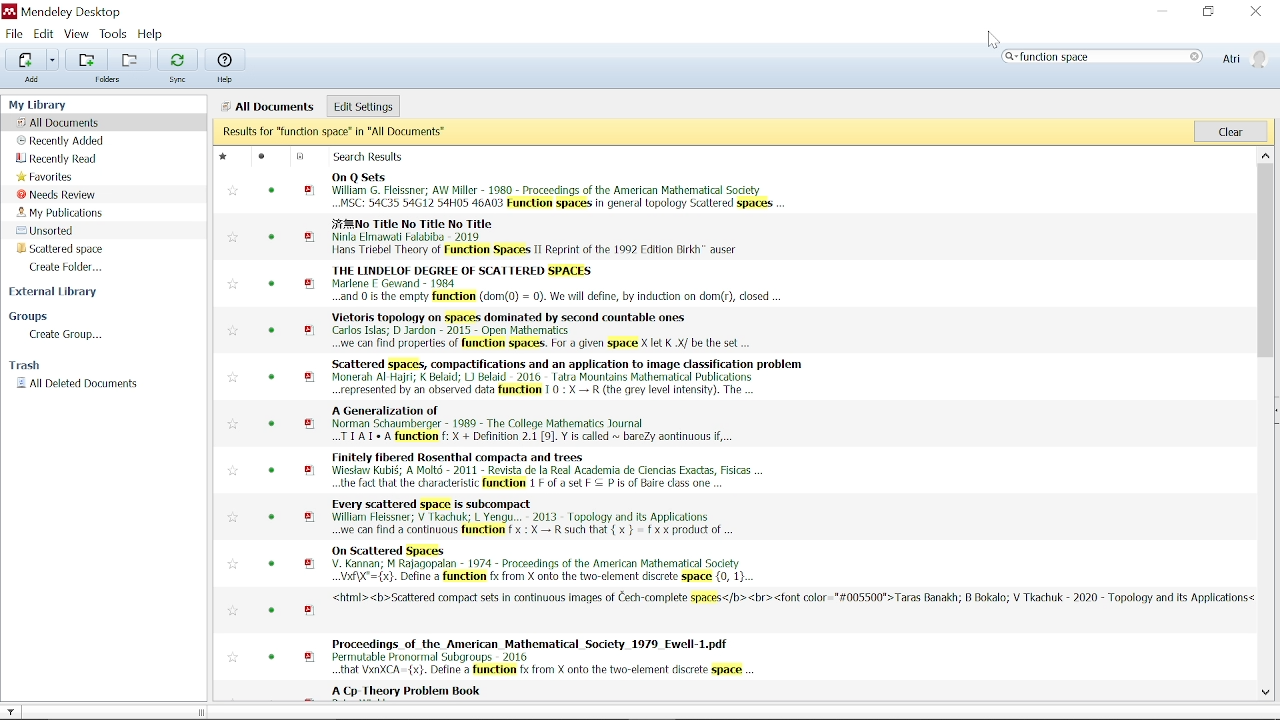 This screenshot has width=1280, height=720. I want to click on Add to favorite, so click(233, 659).